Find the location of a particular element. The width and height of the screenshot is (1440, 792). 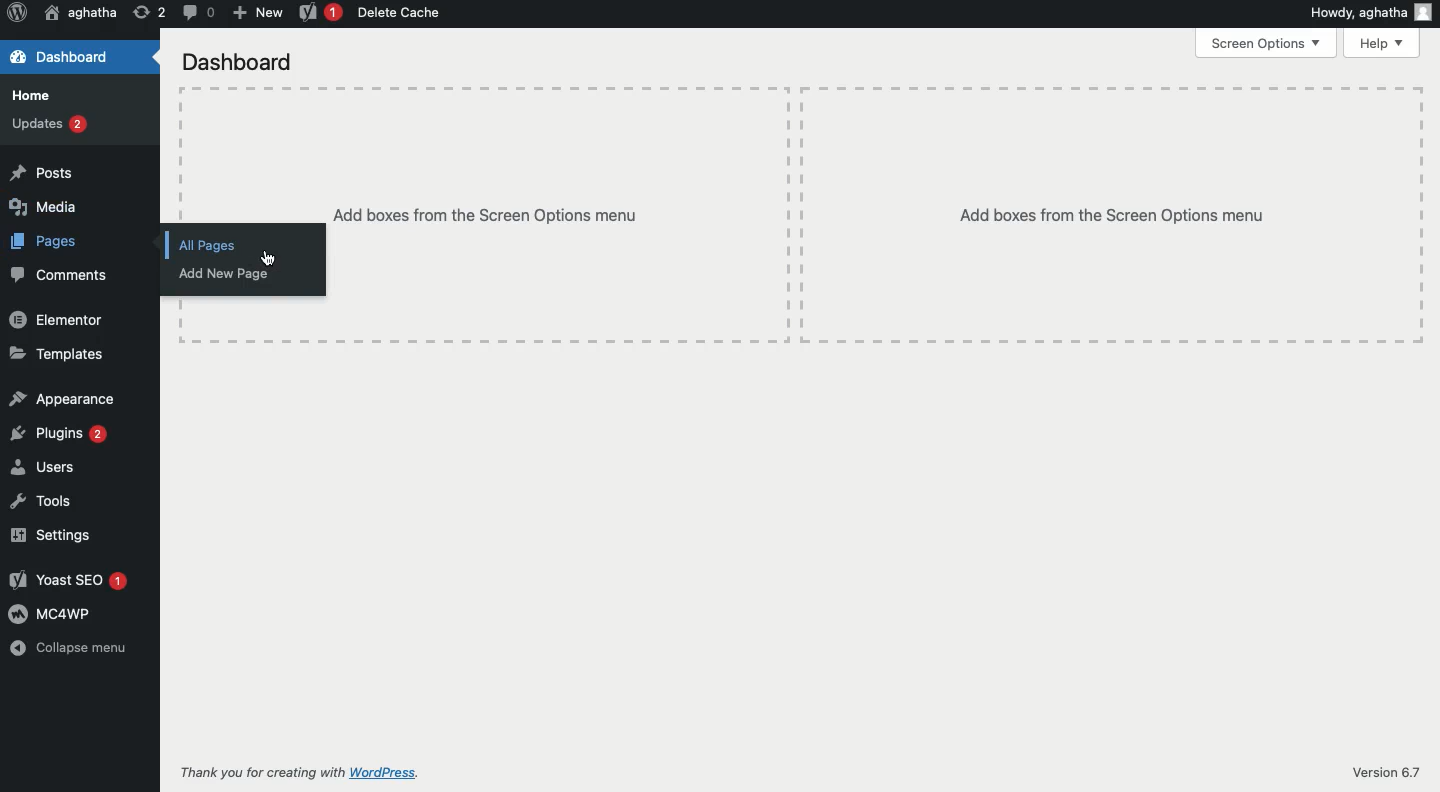

Dashboard is located at coordinates (238, 63).